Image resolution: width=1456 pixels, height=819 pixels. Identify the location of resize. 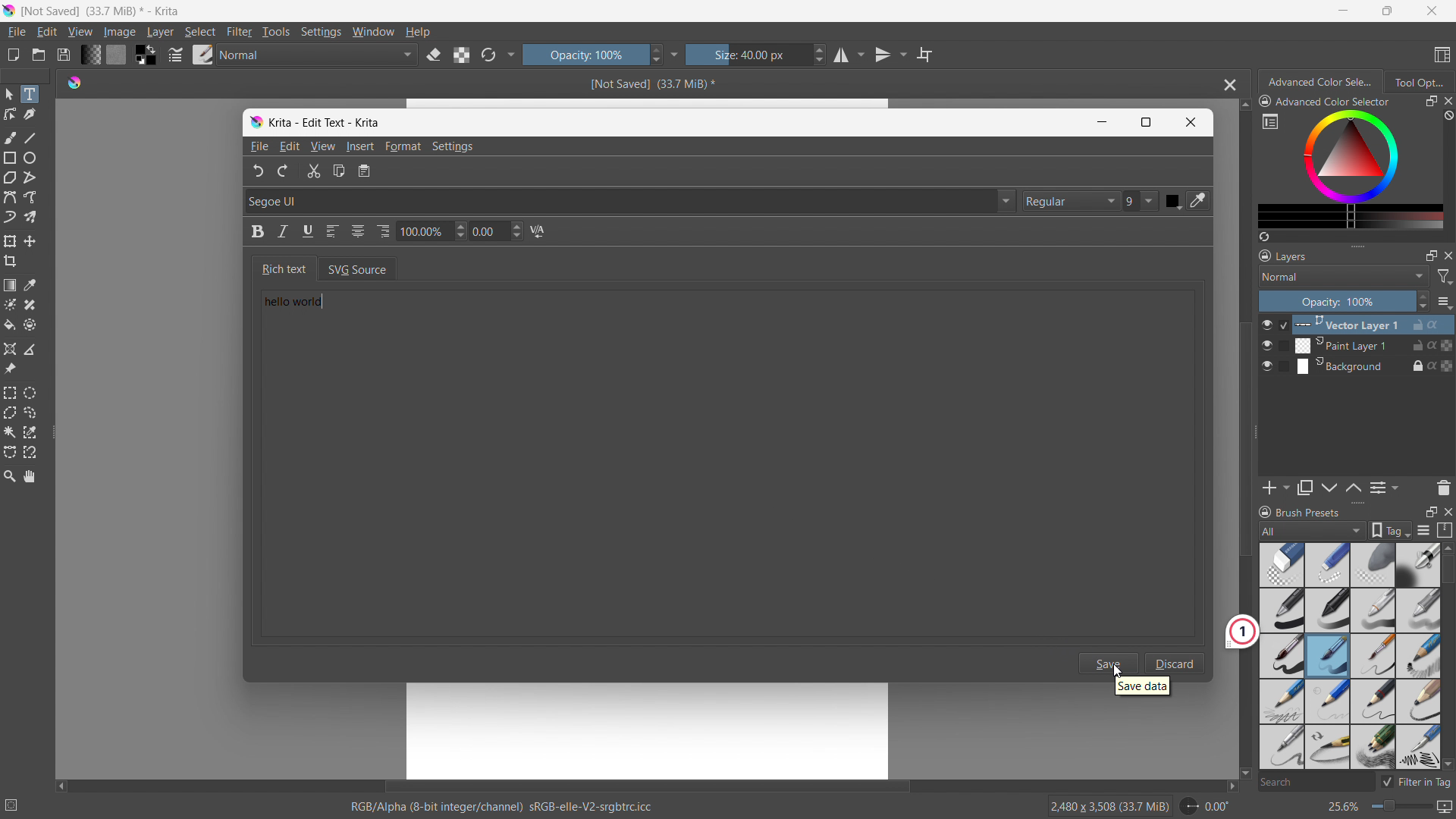
(1256, 433).